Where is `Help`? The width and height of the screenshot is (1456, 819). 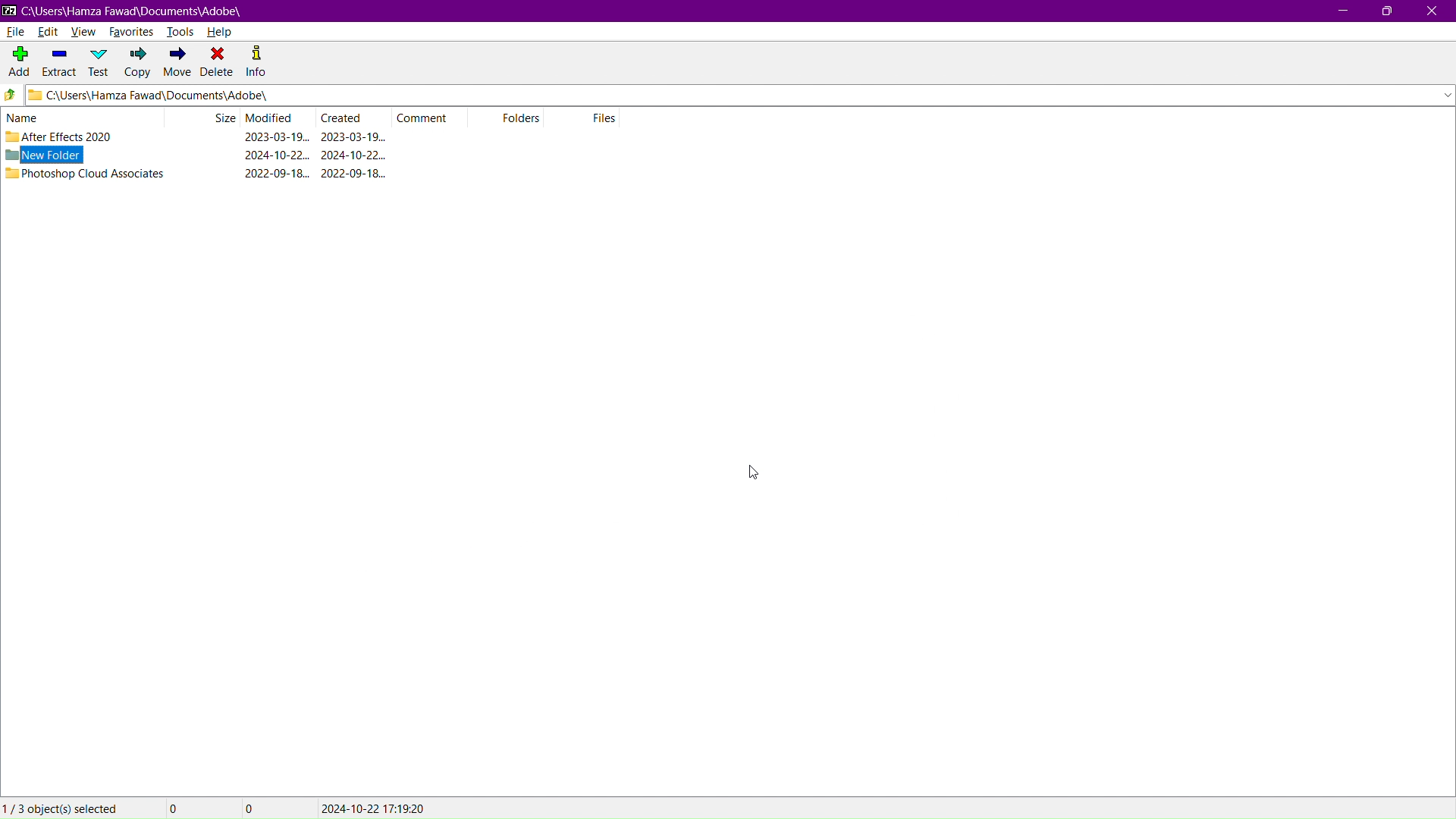
Help is located at coordinates (224, 32).